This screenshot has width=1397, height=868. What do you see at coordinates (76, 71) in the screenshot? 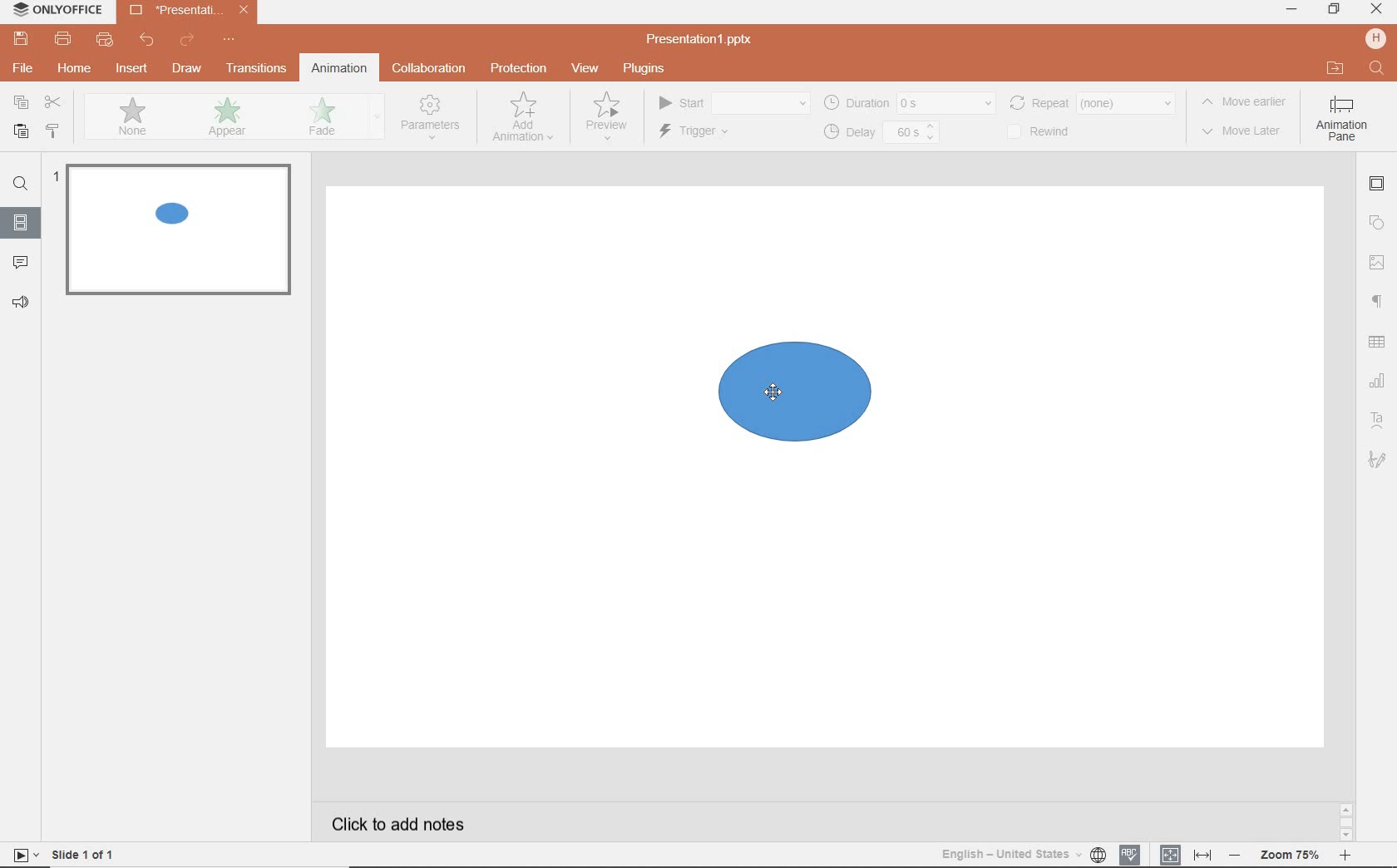
I see `home` at bounding box center [76, 71].